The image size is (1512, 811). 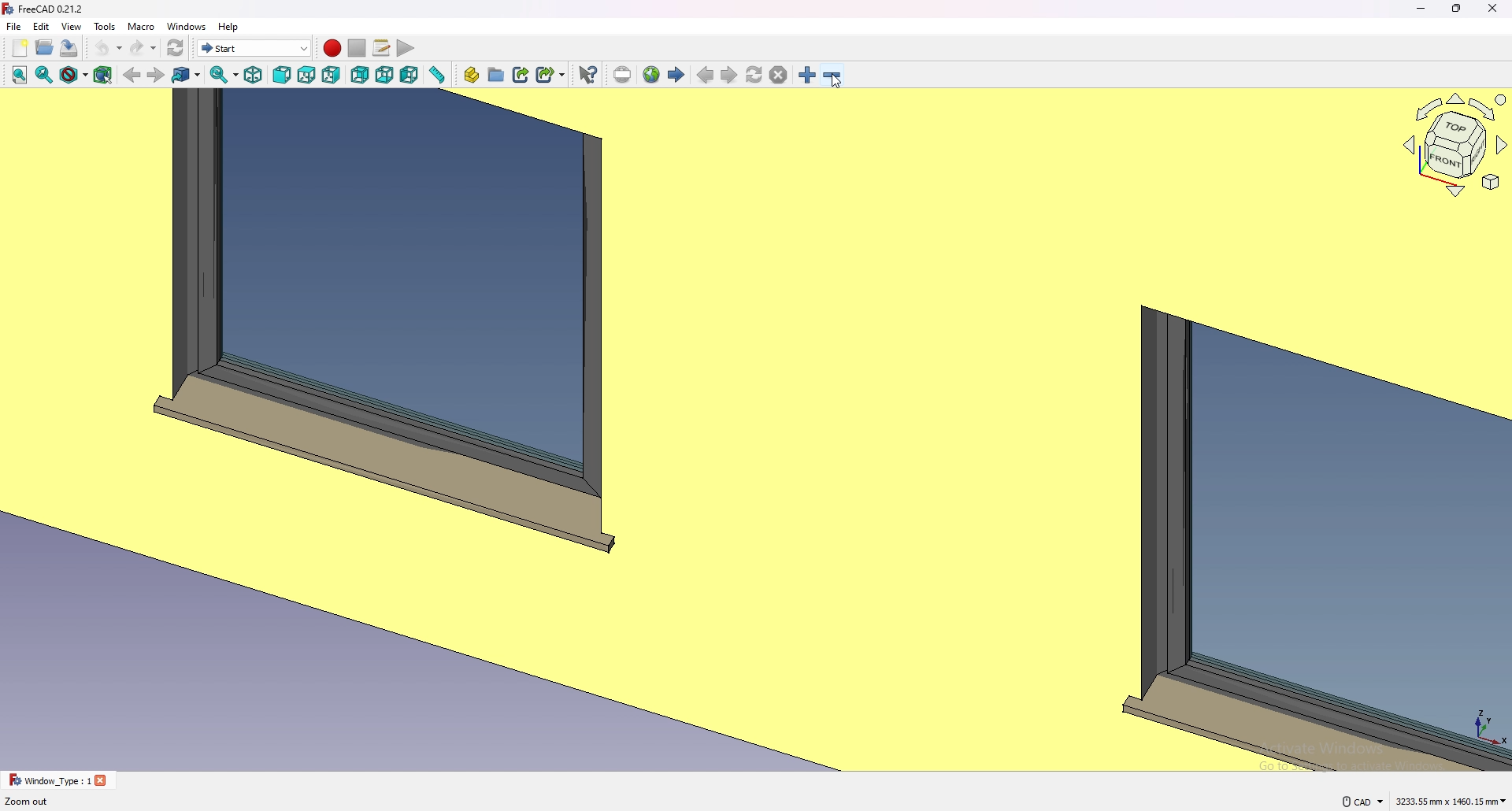 What do you see at coordinates (382, 46) in the screenshot?
I see `macros` at bounding box center [382, 46].